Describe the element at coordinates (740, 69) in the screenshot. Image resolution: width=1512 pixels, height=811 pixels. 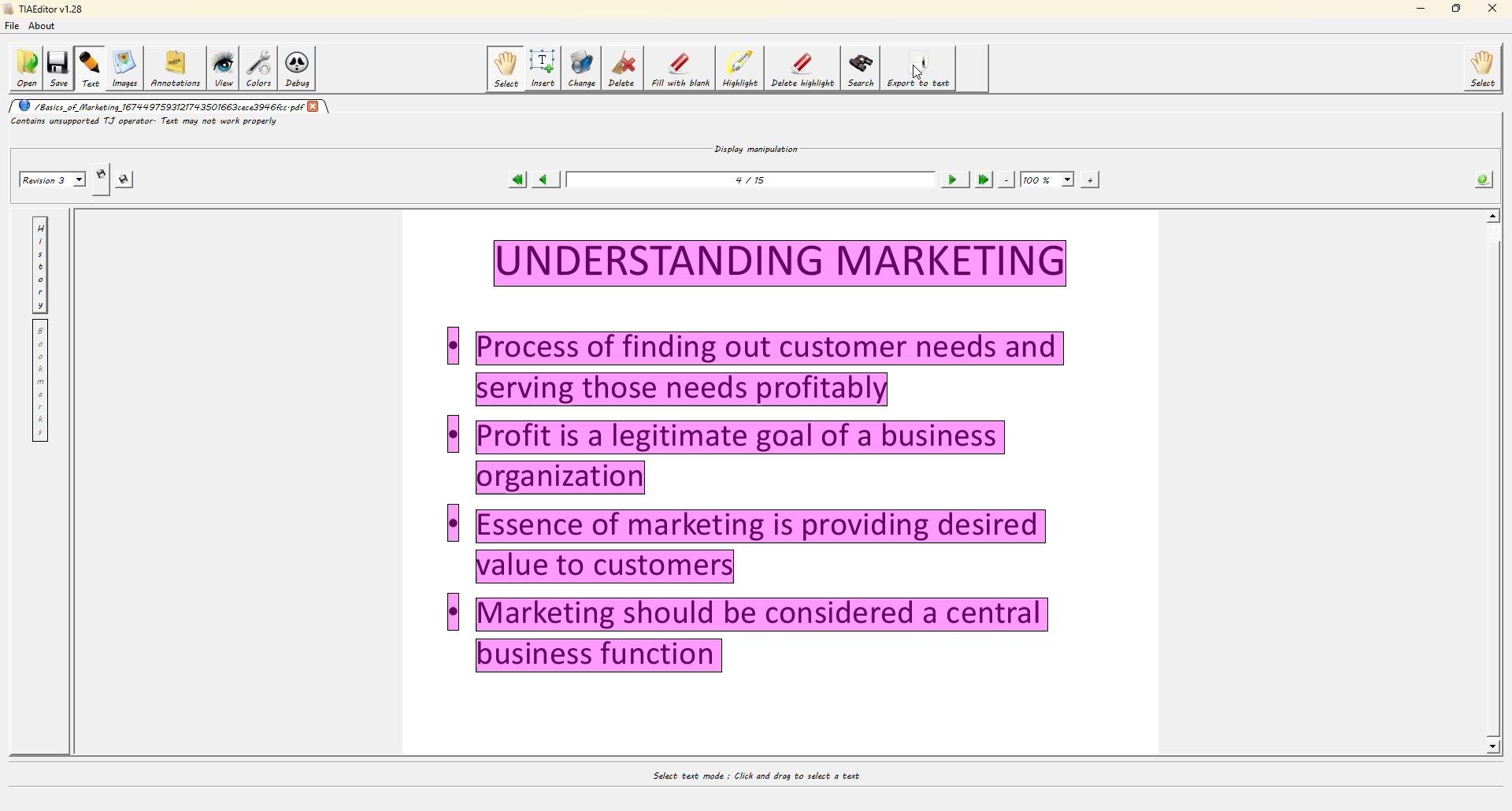
I see `highlight` at that location.